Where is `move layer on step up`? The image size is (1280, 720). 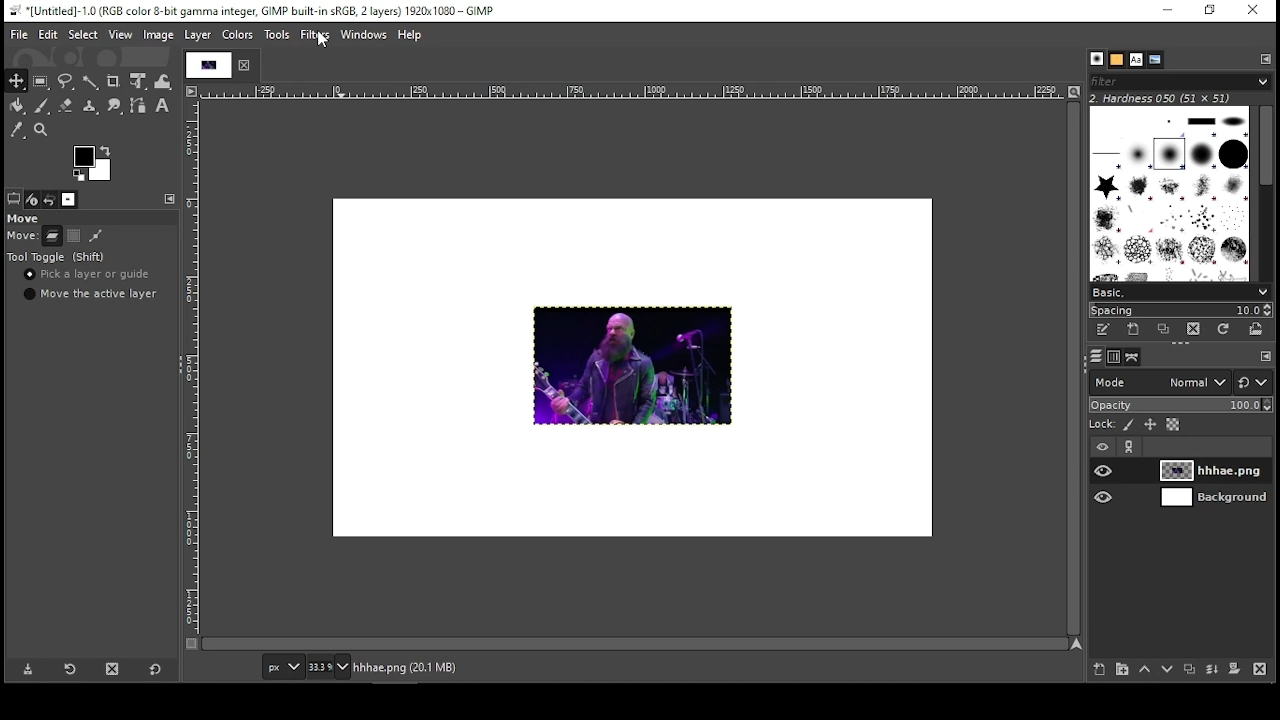
move layer on step up is located at coordinates (1148, 668).